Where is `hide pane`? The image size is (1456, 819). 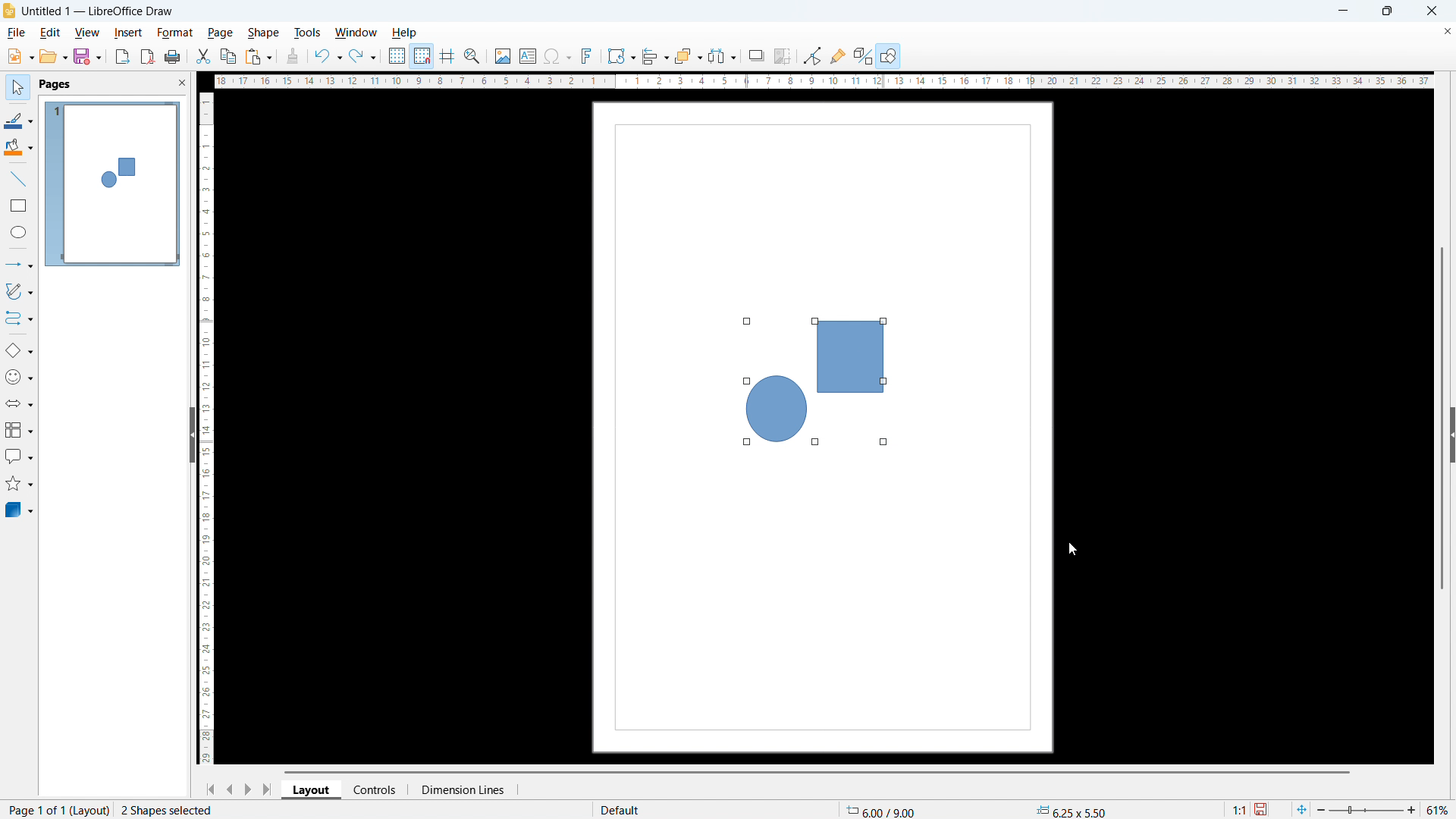
hide pane is located at coordinates (193, 435).